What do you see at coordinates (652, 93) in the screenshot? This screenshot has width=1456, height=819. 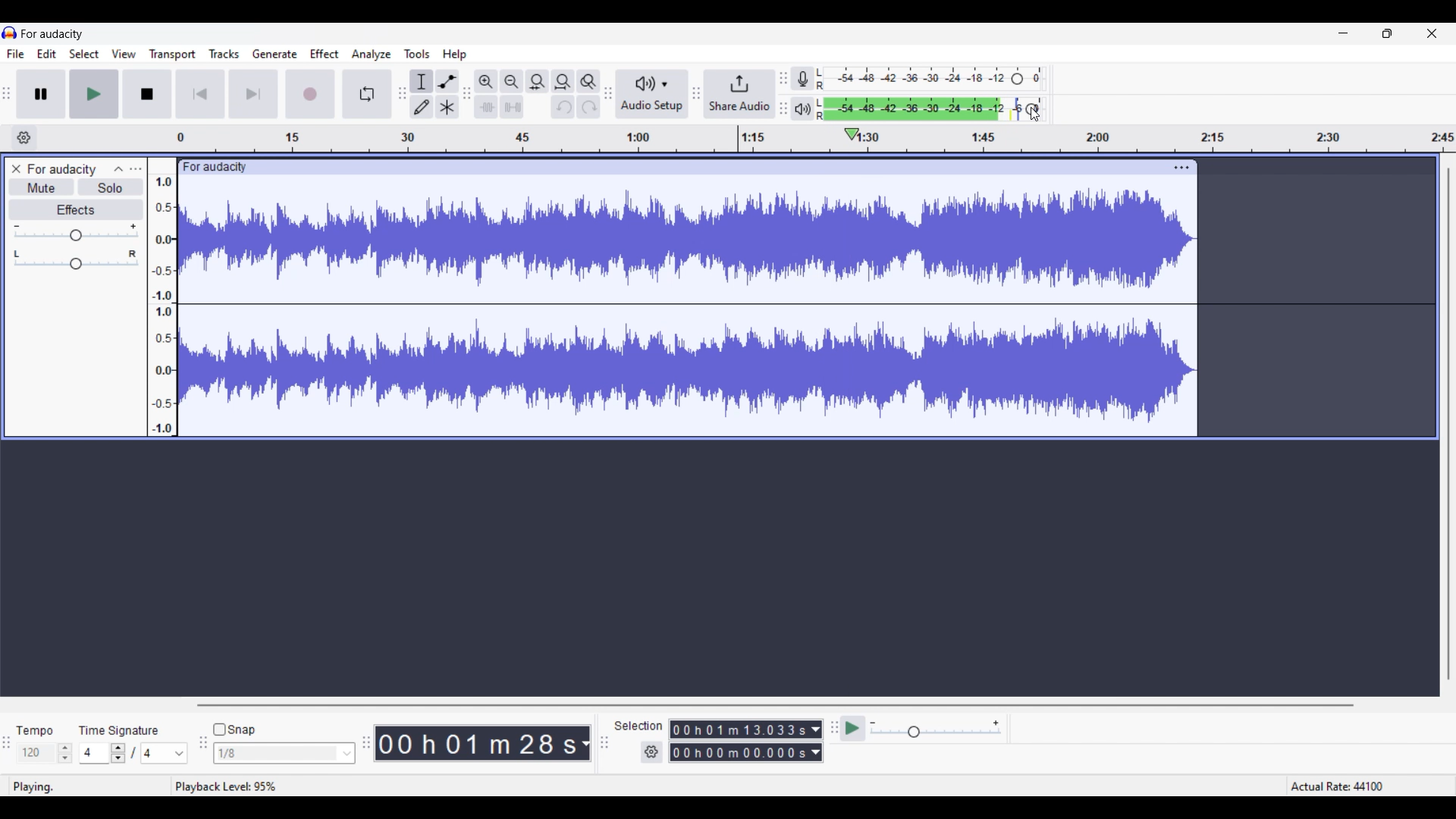 I see `Audio setup` at bounding box center [652, 93].